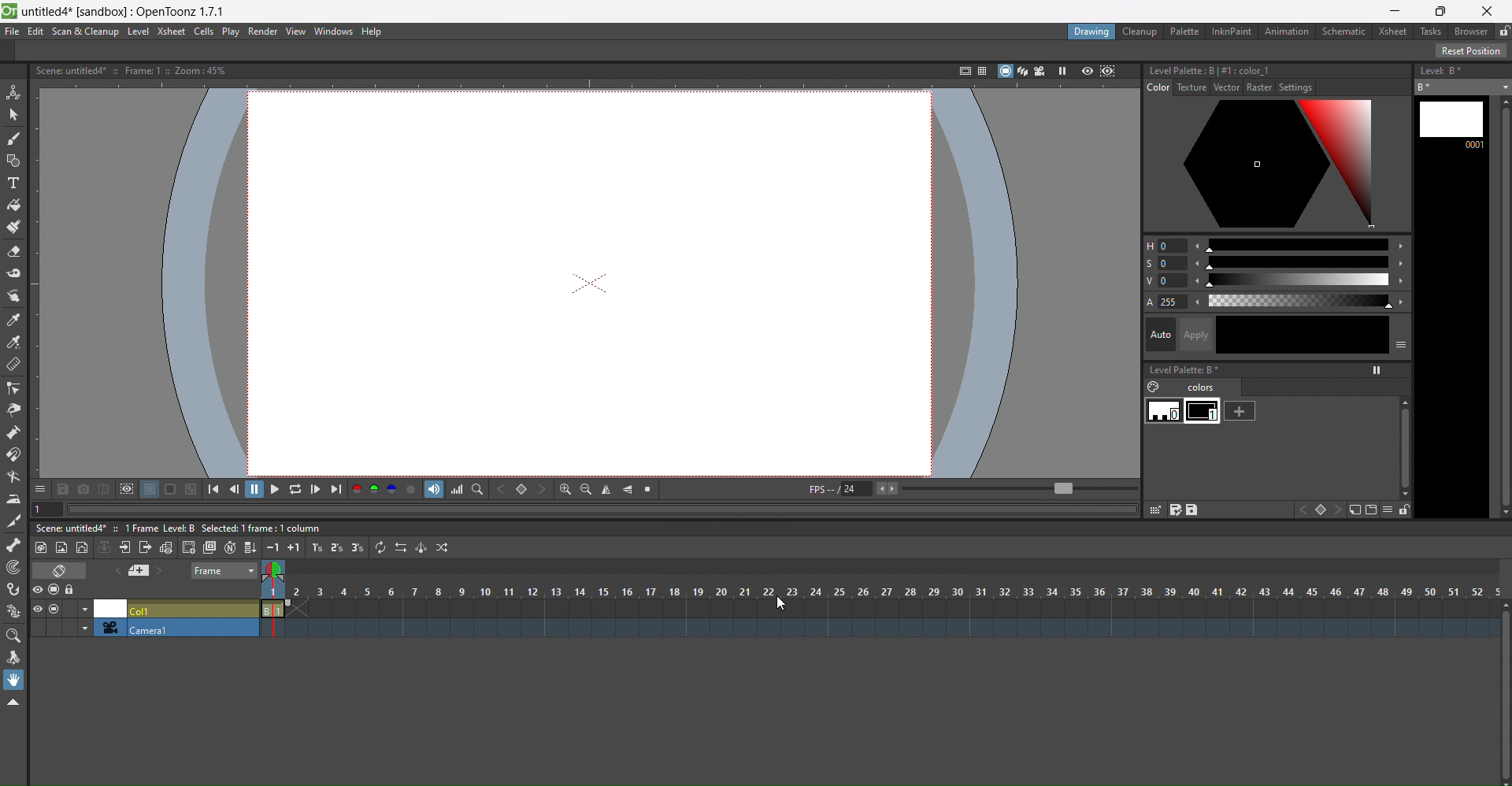 The width and height of the screenshot is (1512, 786). Describe the element at coordinates (521, 489) in the screenshot. I see `set key` at that location.